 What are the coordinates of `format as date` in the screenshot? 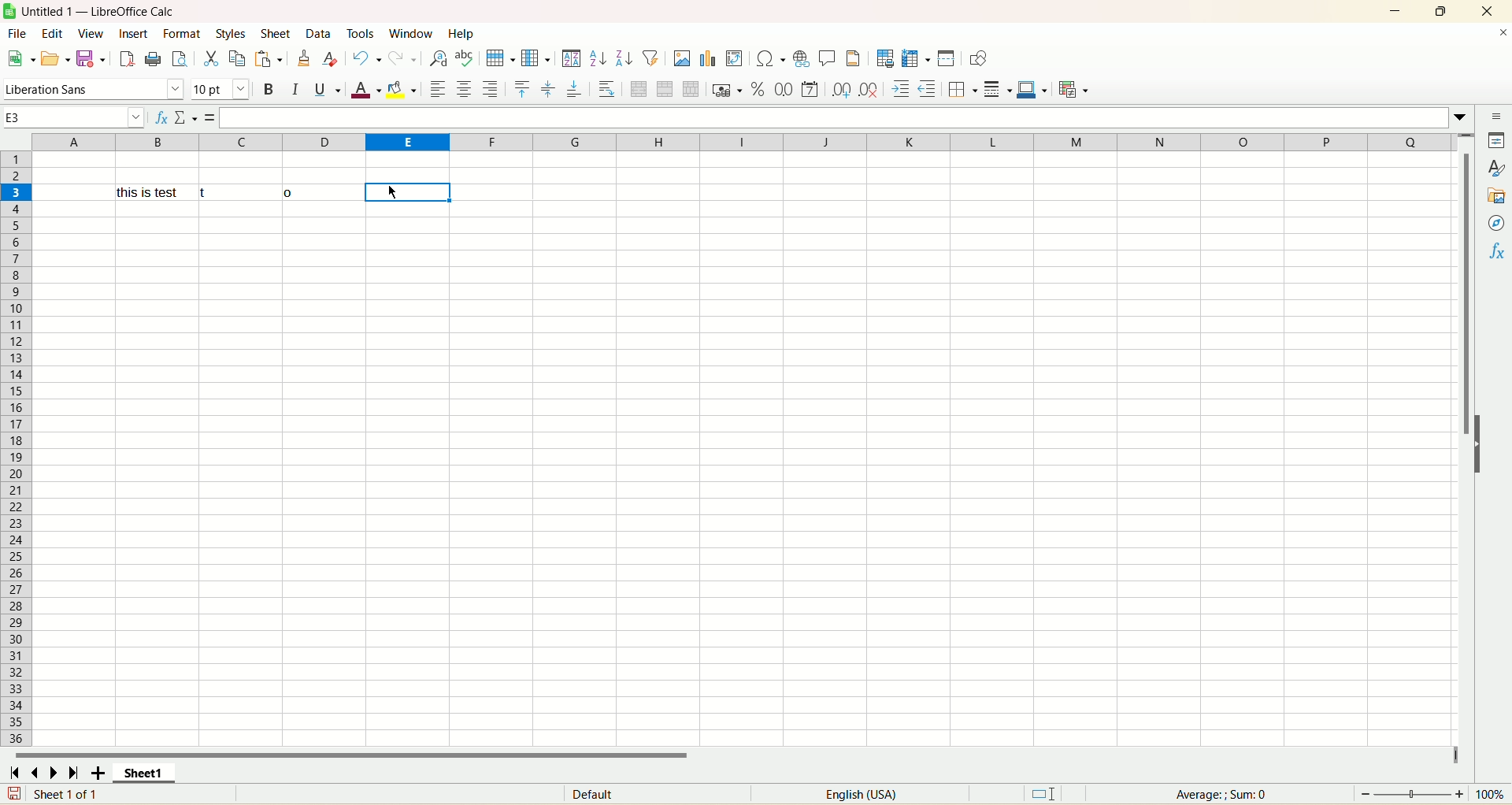 It's located at (810, 91).